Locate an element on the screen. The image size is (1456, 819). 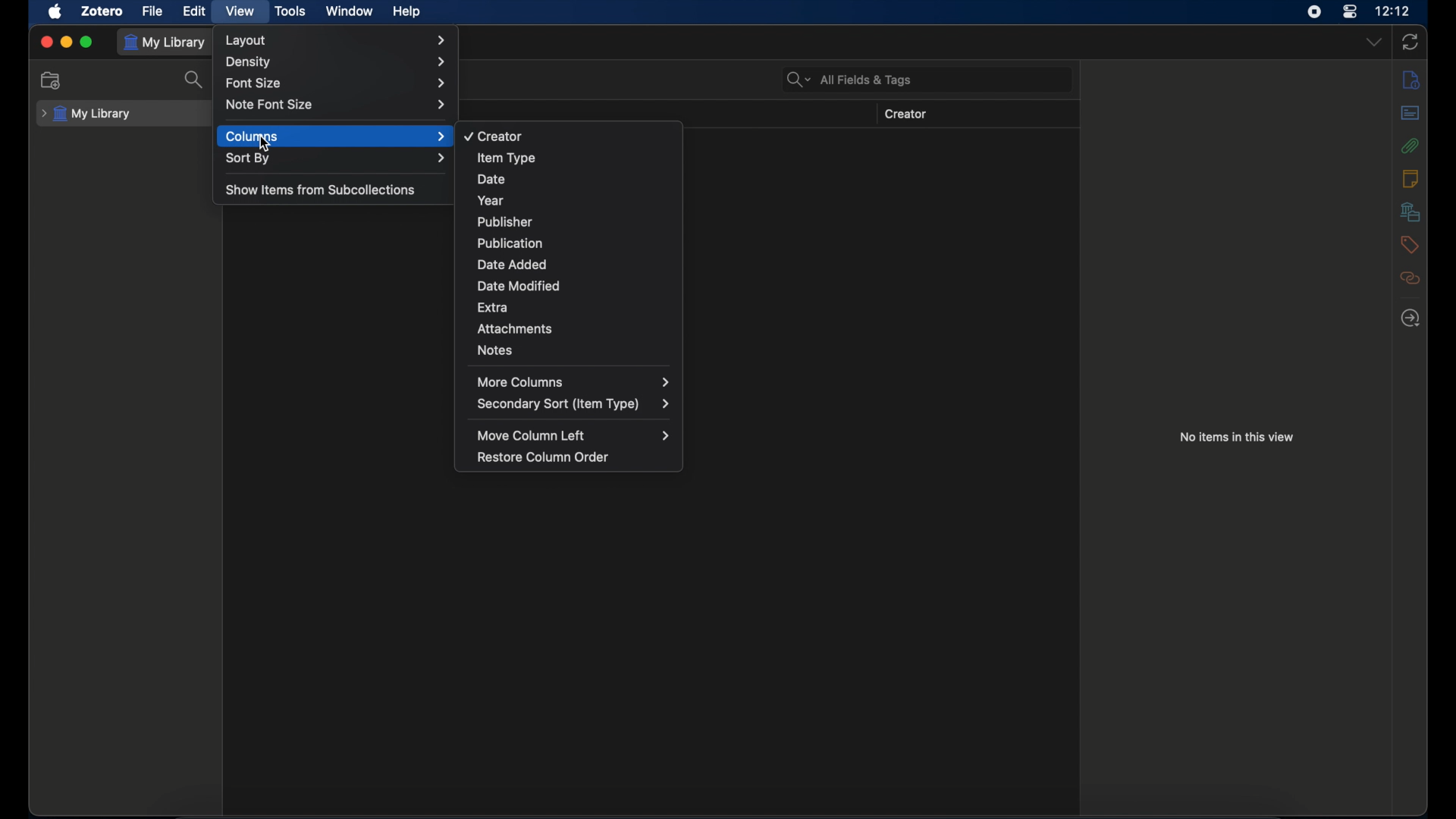
tools is located at coordinates (290, 12).